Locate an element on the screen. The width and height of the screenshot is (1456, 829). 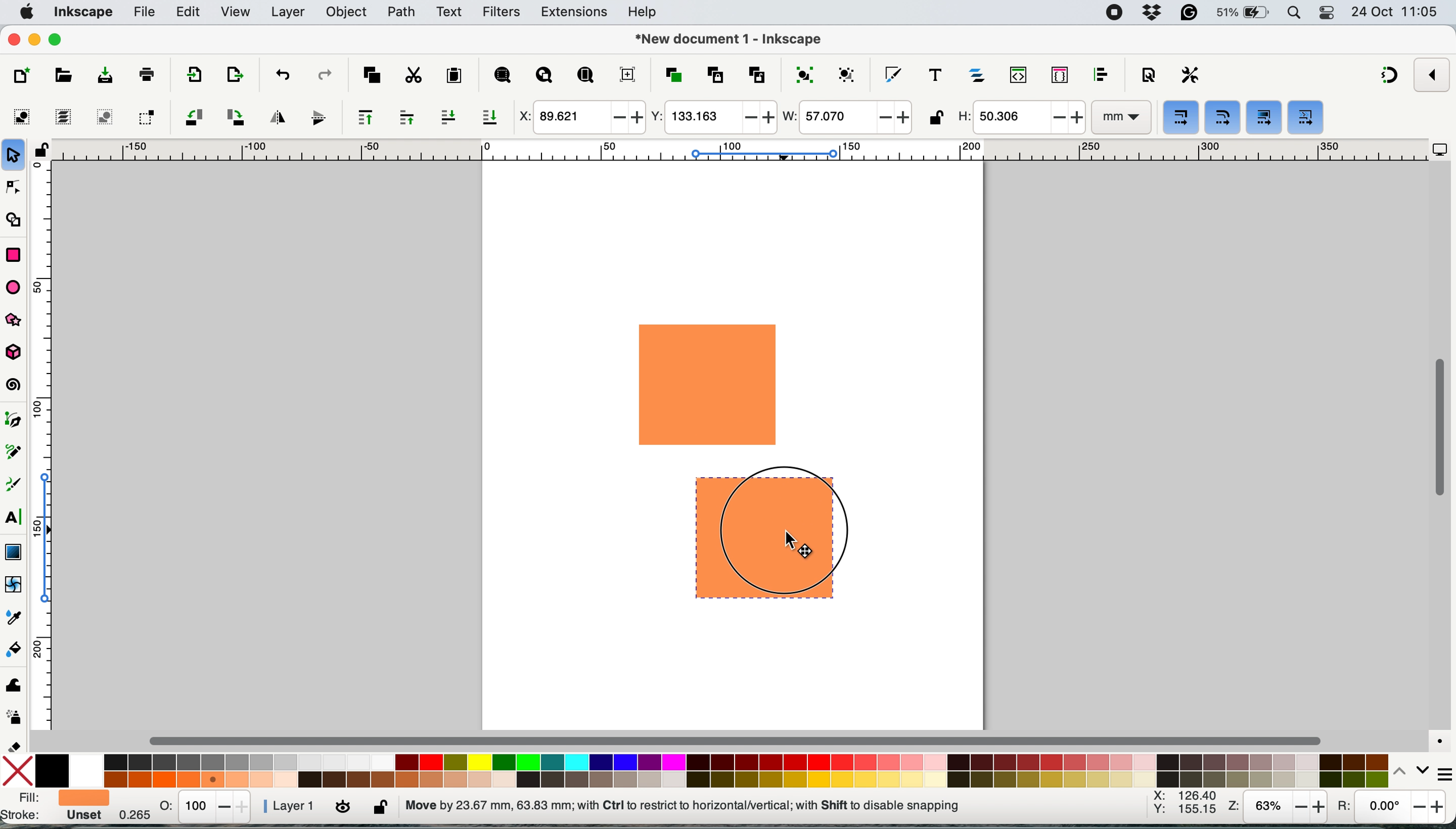
lower selection to bottom is located at coordinates (493, 118).